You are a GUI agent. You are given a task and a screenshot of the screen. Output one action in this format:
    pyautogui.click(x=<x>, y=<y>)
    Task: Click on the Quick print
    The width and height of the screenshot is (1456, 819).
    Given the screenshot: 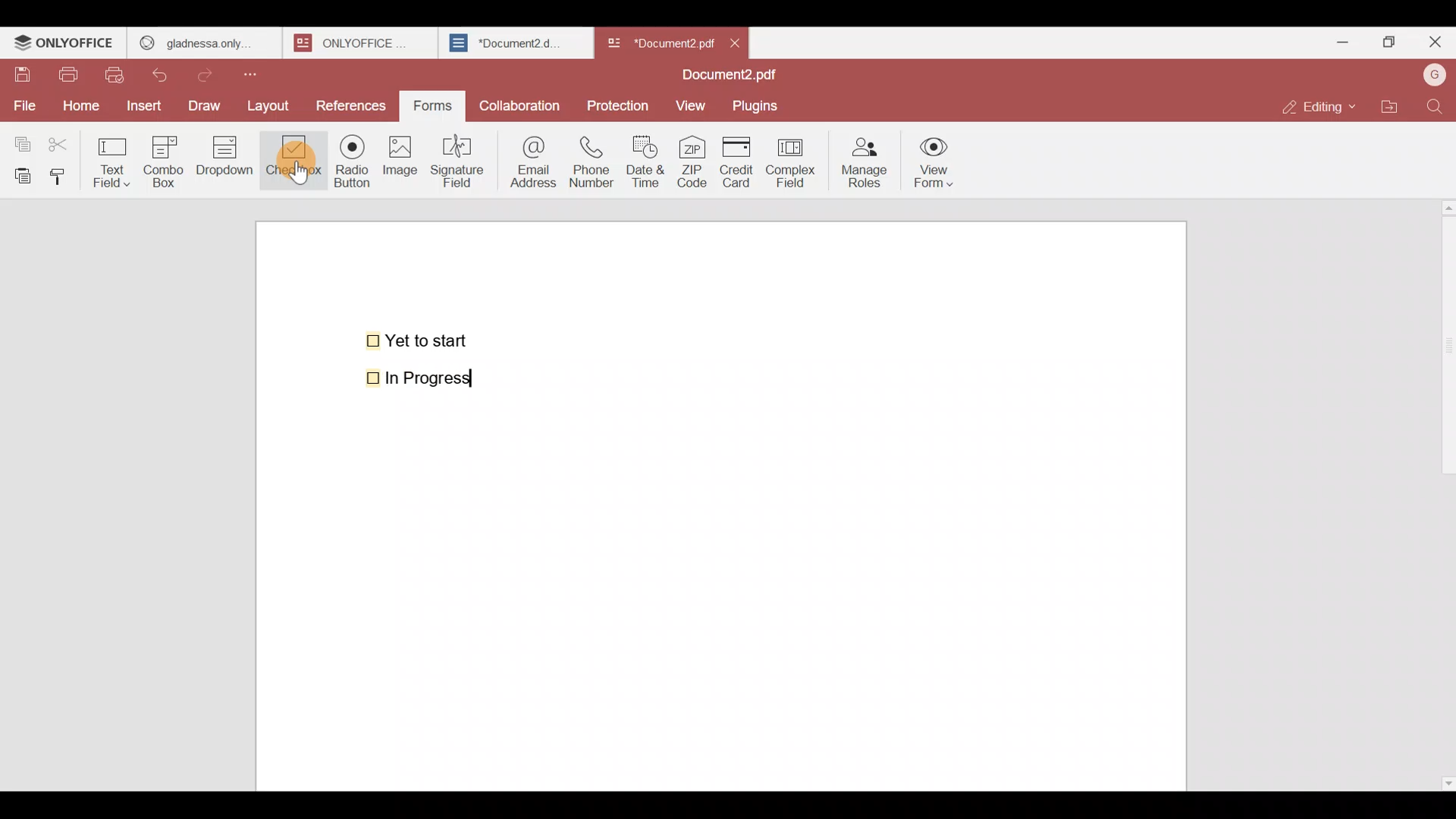 What is the action you would take?
    pyautogui.click(x=119, y=74)
    